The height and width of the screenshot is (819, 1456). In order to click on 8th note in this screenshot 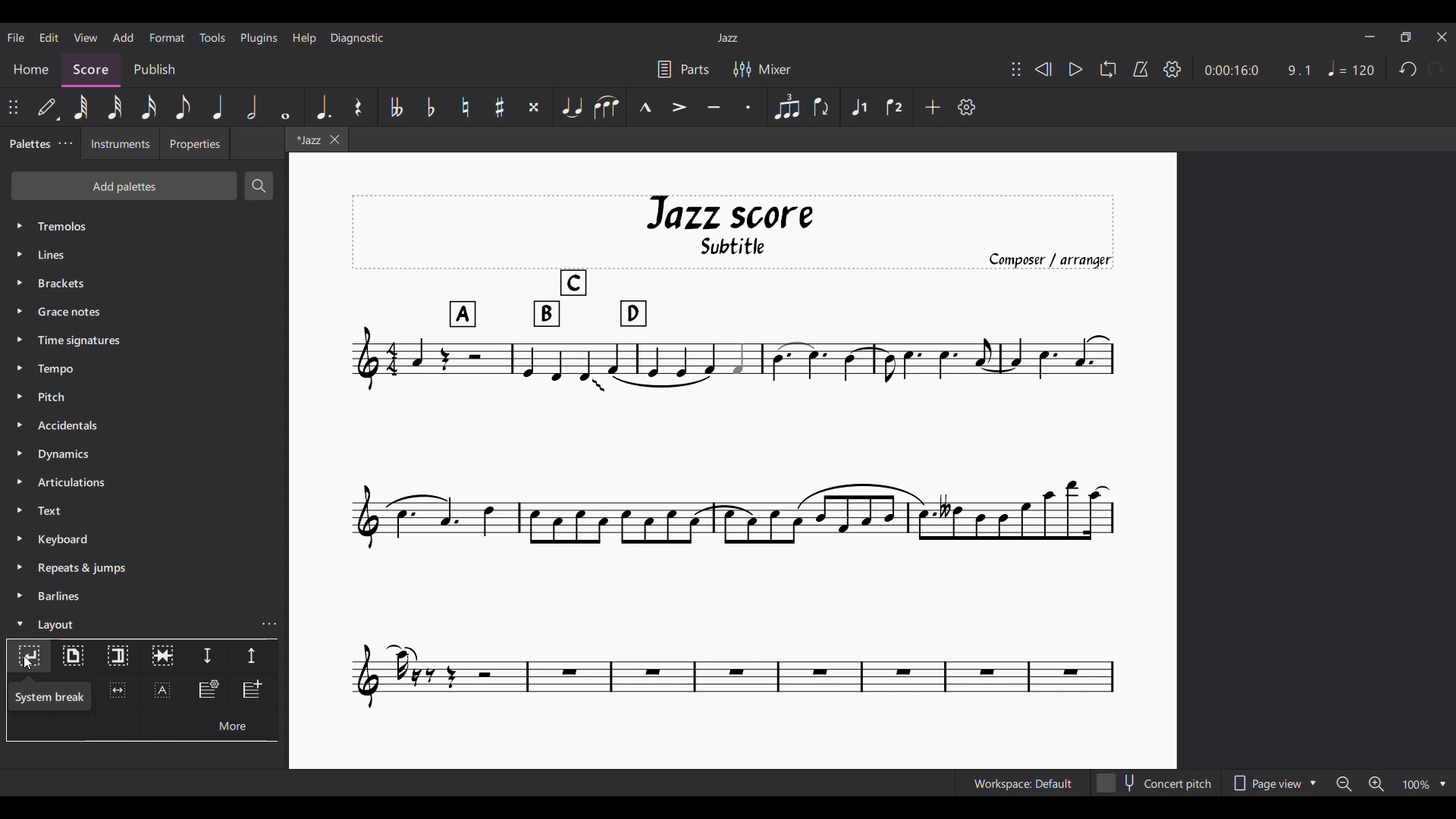, I will do `click(184, 107)`.